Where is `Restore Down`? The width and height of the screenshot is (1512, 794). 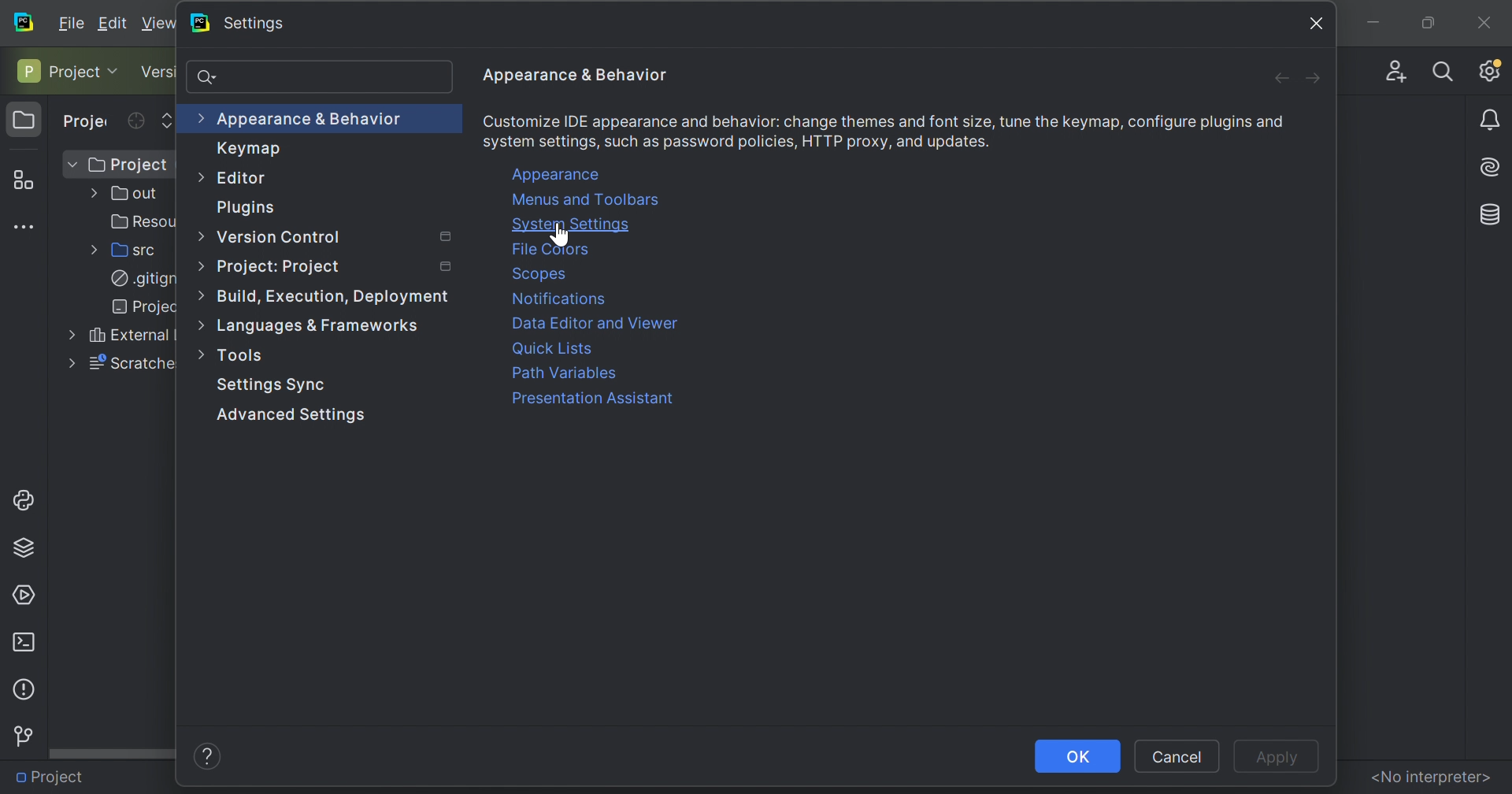
Restore Down is located at coordinates (1425, 22).